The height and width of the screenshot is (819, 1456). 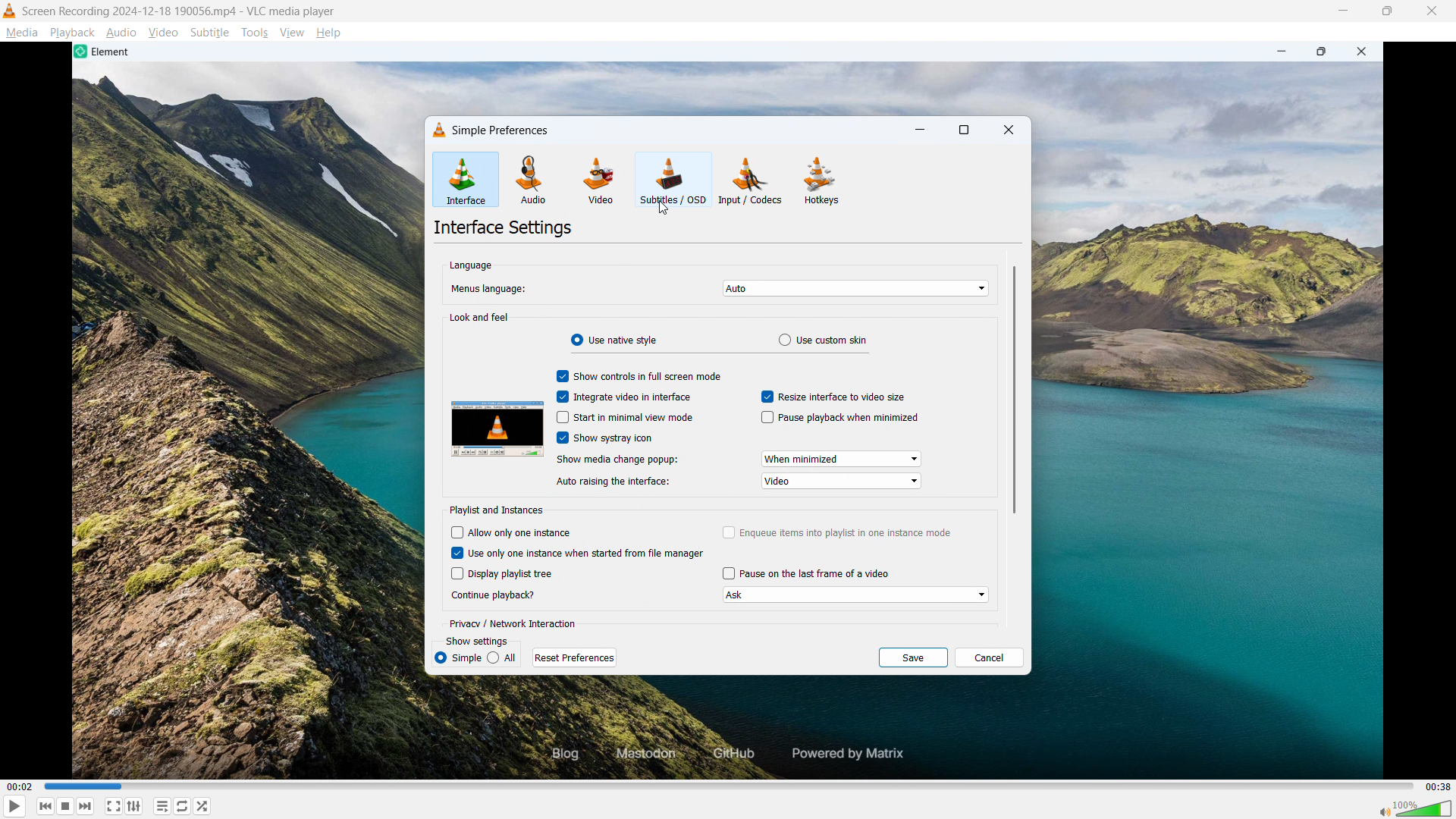 I want to click on Powered by Matrix, so click(x=853, y=752).